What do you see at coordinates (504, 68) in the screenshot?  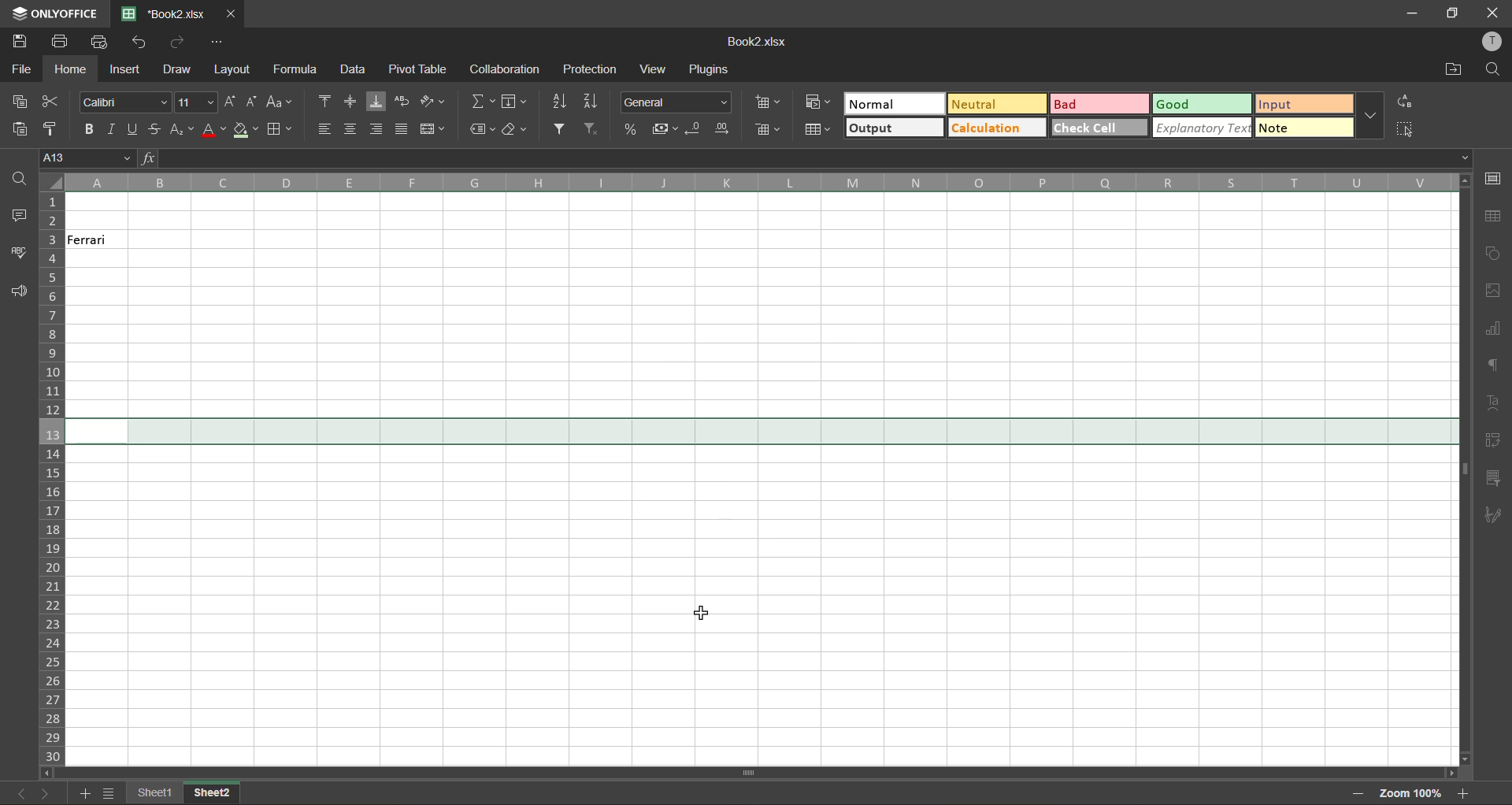 I see `collaboration` at bounding box center [504, 68].